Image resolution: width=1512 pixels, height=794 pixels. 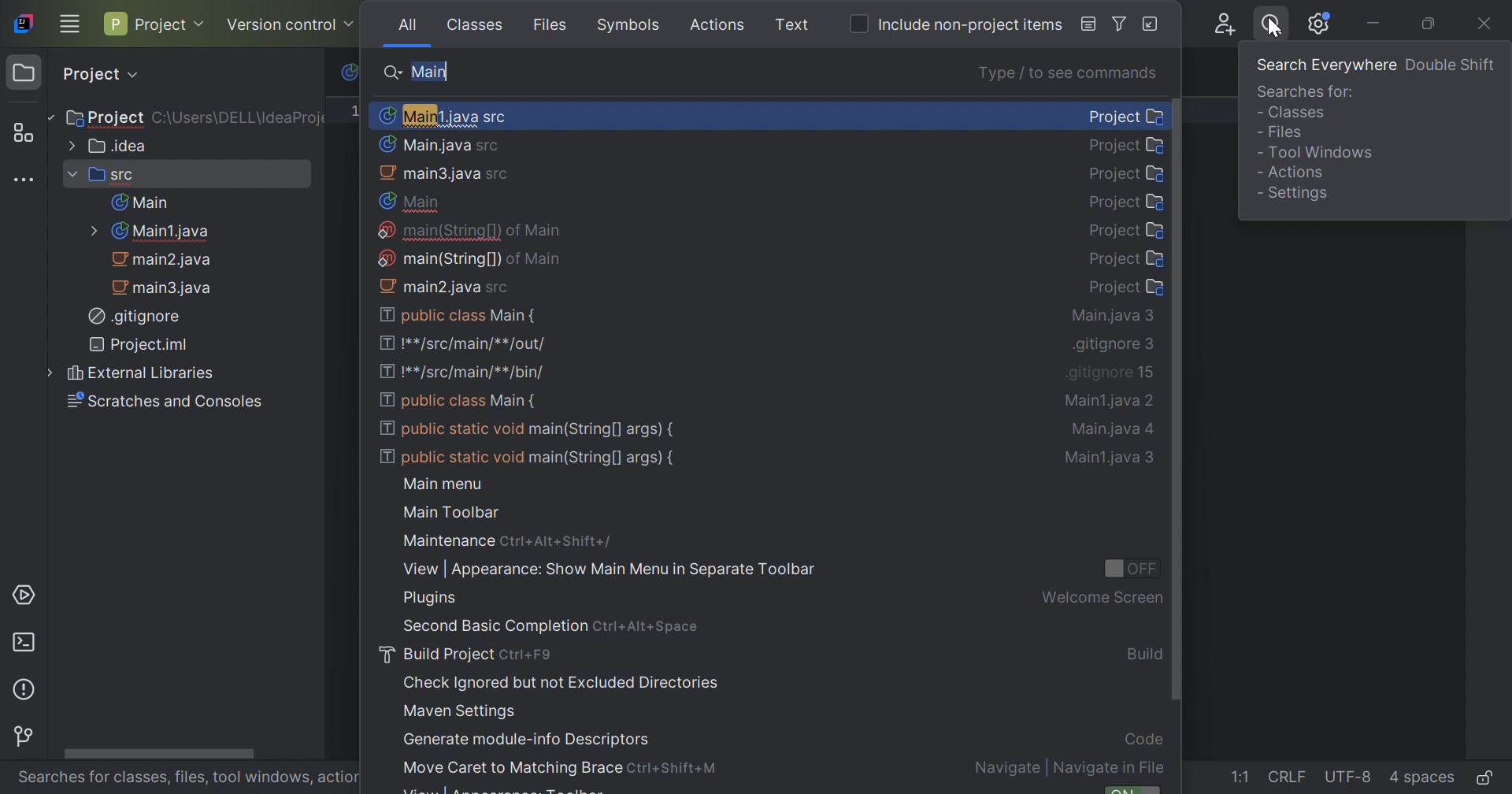 What do you see at coordinates (1451, 65) in the screenshot?
I see `Double Shift` at bounding box center [1451, 65].